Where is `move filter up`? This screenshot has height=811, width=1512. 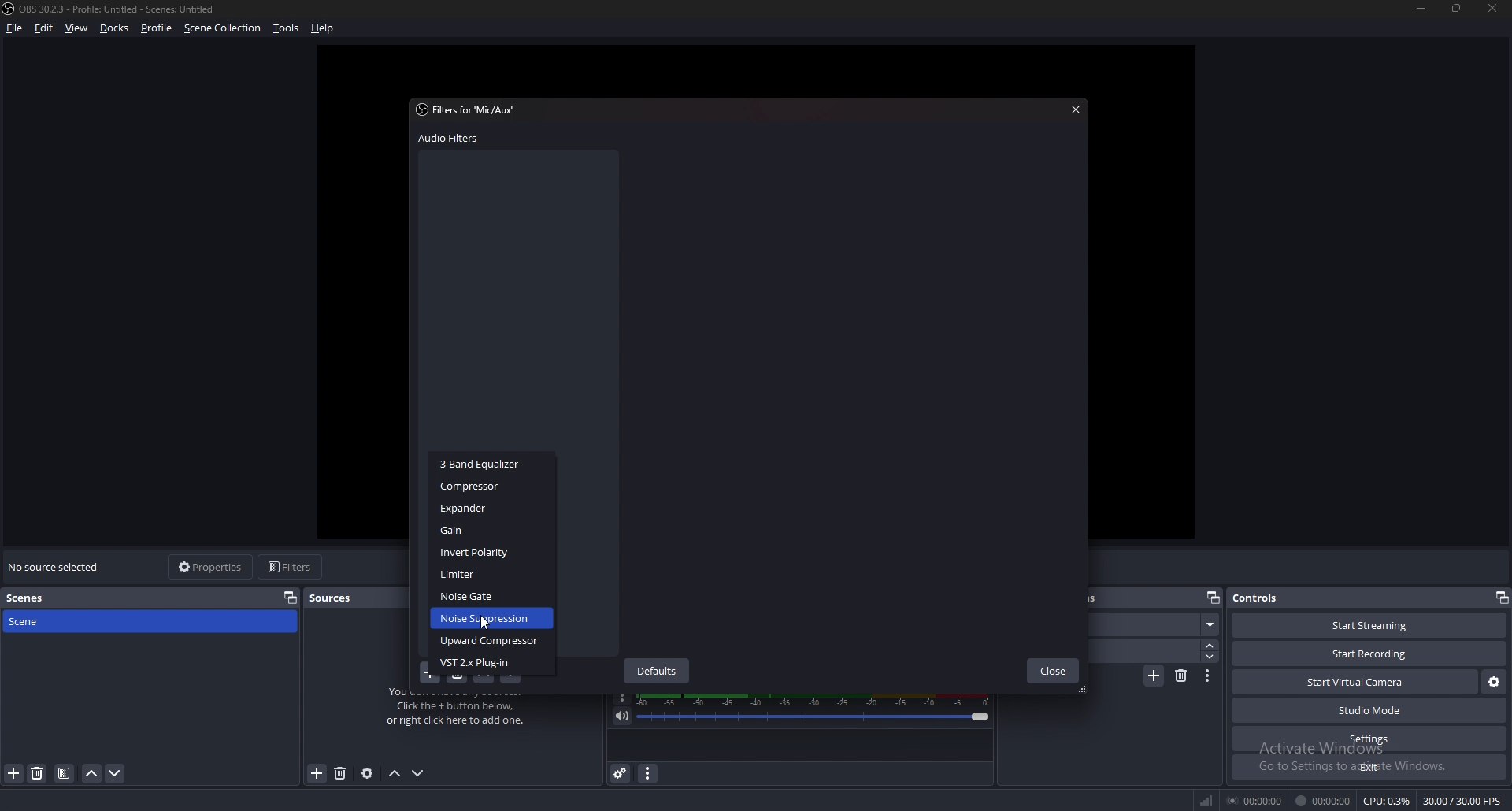
move filter up is located at coordinates (485, 679).